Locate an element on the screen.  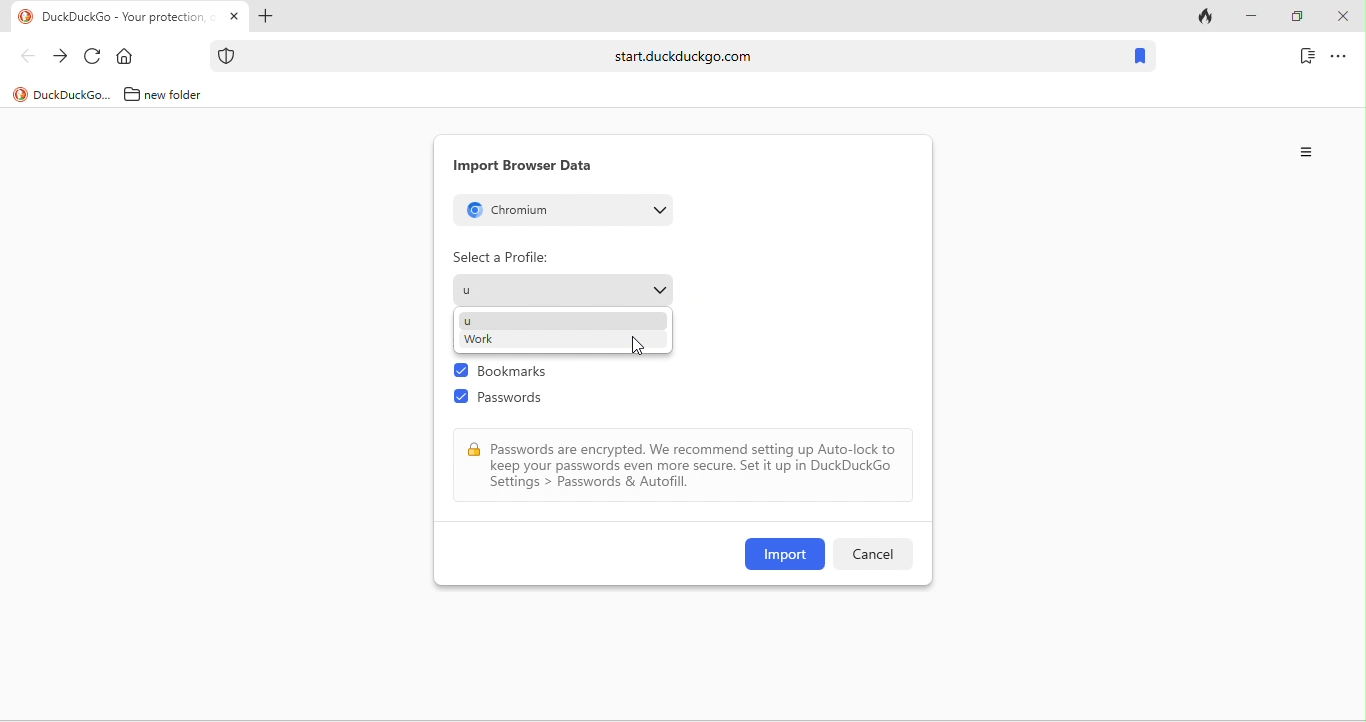
select profile is located at coordinates (563, 288).